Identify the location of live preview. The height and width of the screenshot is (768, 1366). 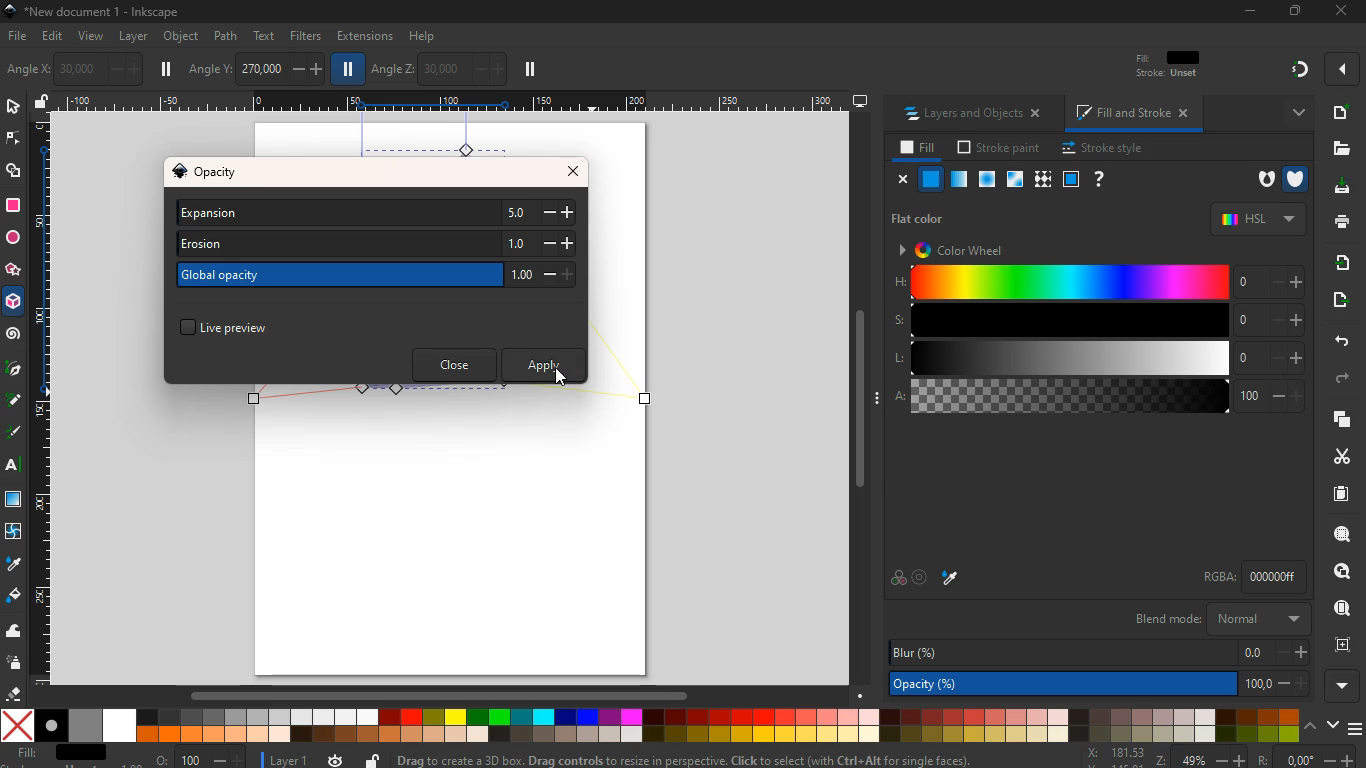
(241, 325).